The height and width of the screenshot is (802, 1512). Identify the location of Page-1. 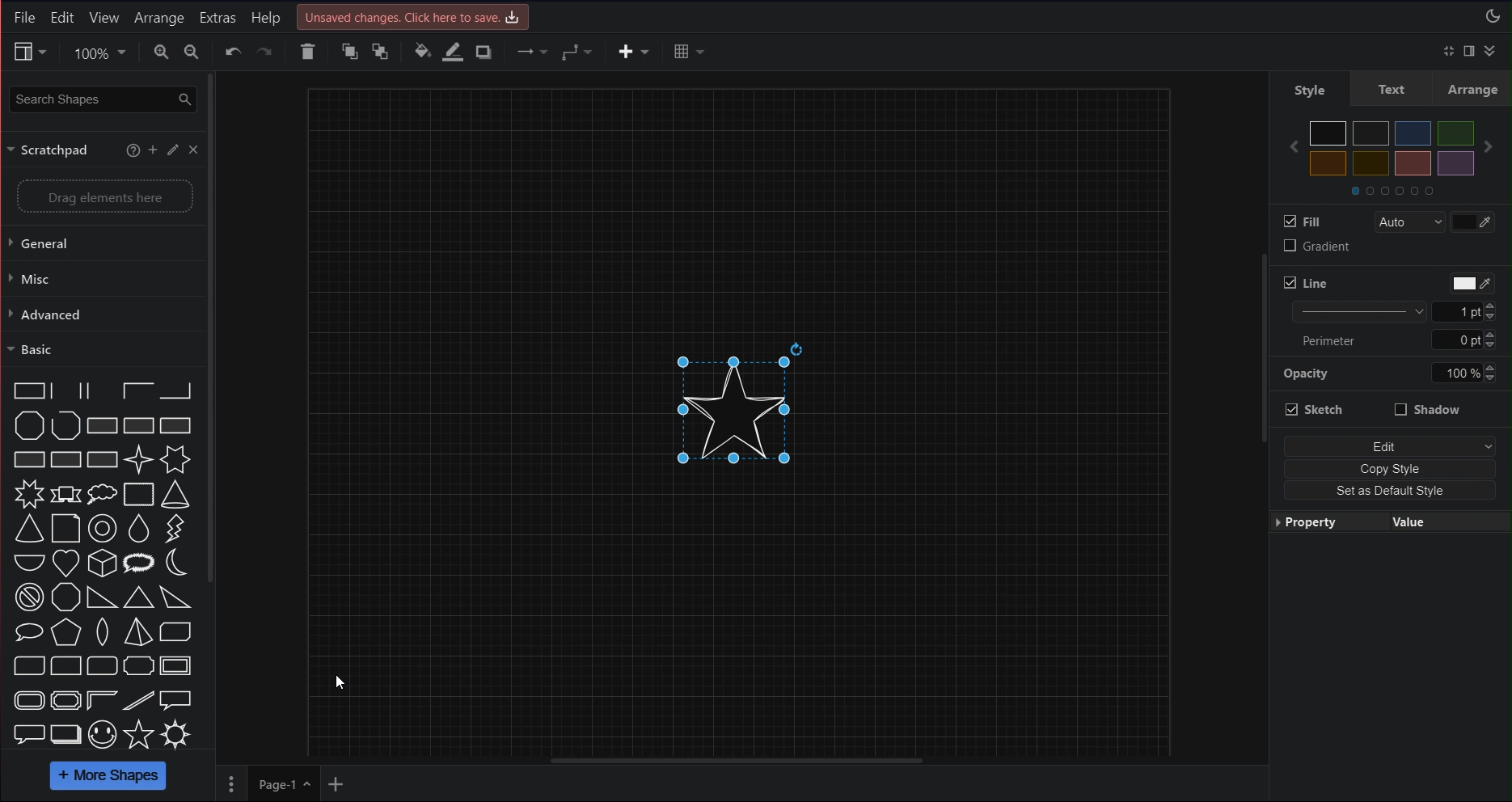
(285, 785).